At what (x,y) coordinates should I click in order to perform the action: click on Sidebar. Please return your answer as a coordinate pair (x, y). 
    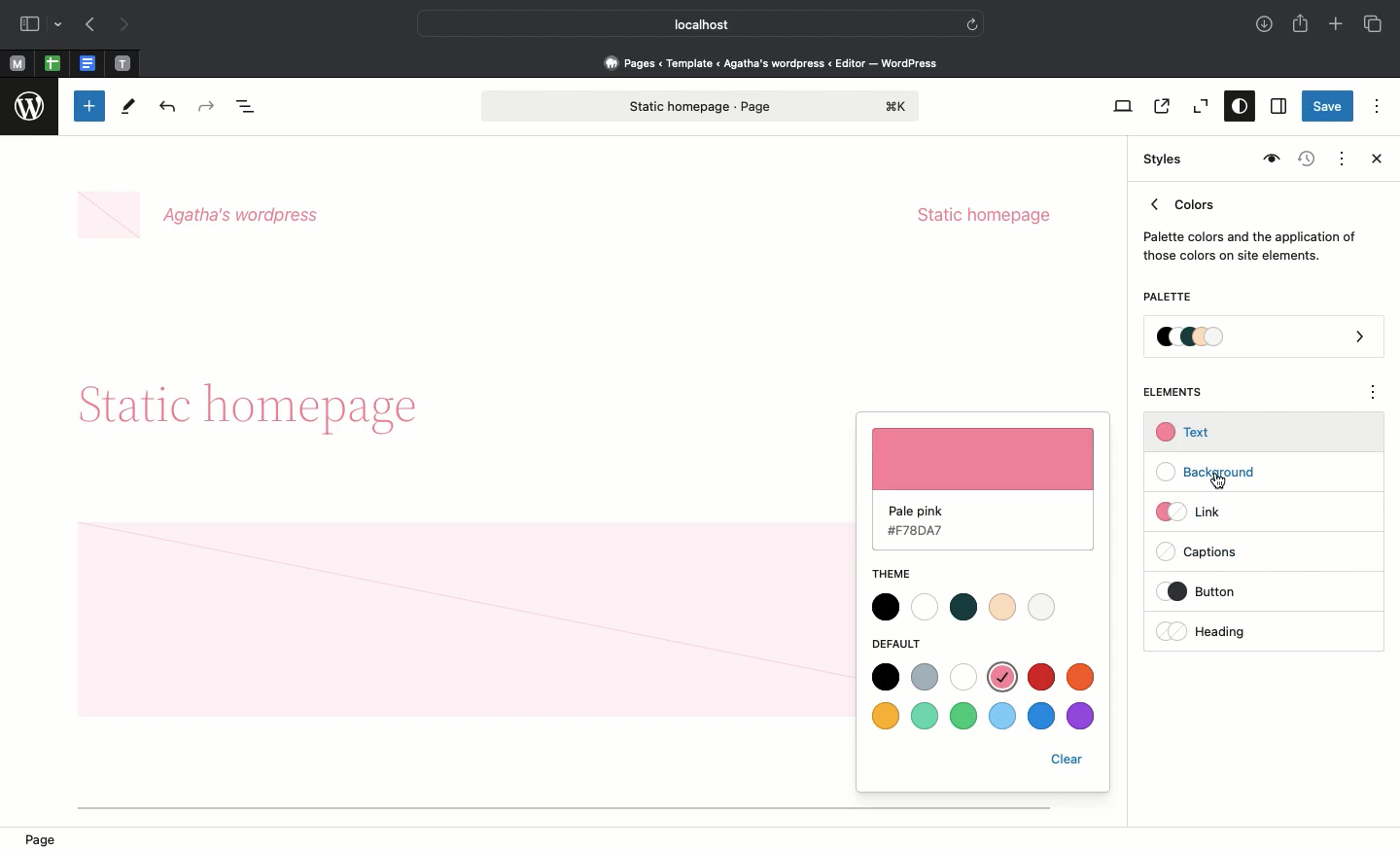
    Looking at the image, I should click on (29, 24).